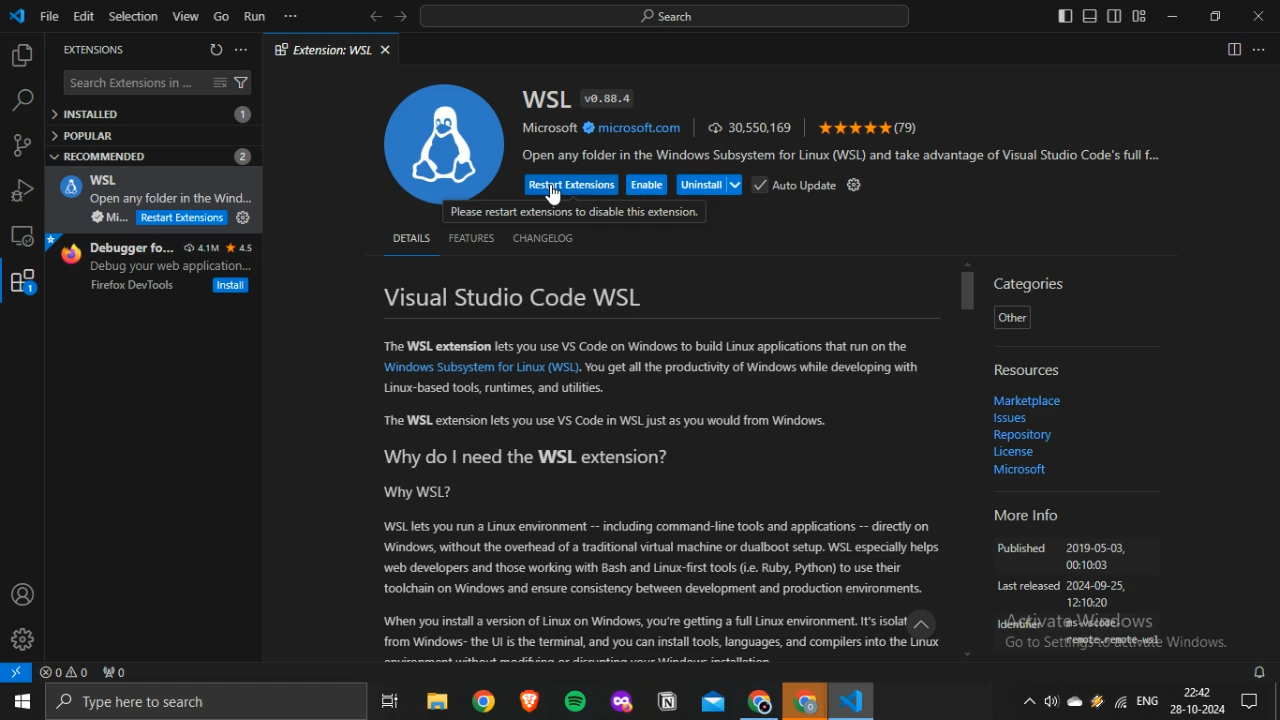 This screenshot has height=720, width=1280. What do you see at coordinates (242, 217) in the screenshot?
I see `Install` at bounding box center [242, 217].